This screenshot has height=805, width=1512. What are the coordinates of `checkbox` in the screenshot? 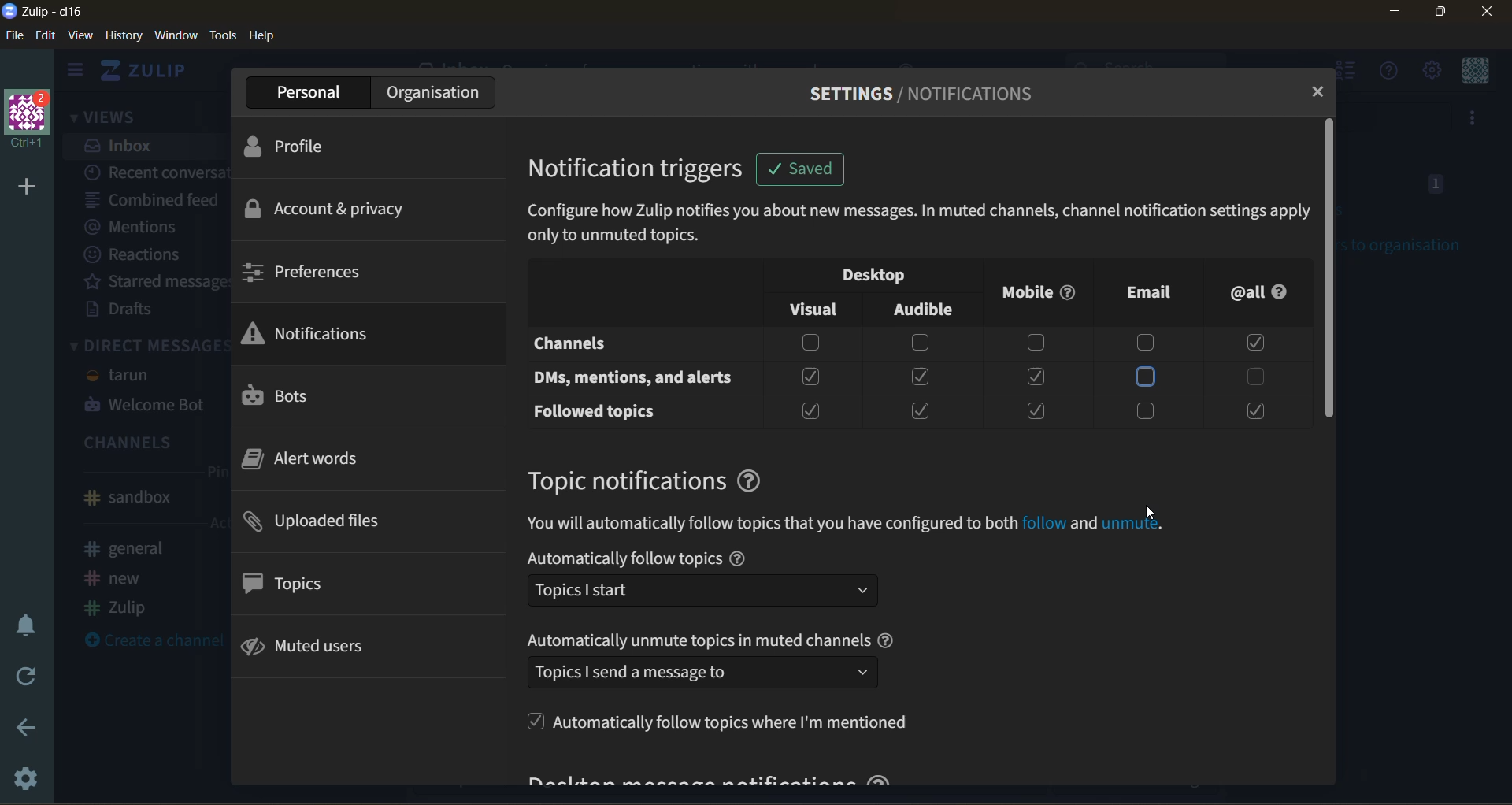 It's located at (806, 343).